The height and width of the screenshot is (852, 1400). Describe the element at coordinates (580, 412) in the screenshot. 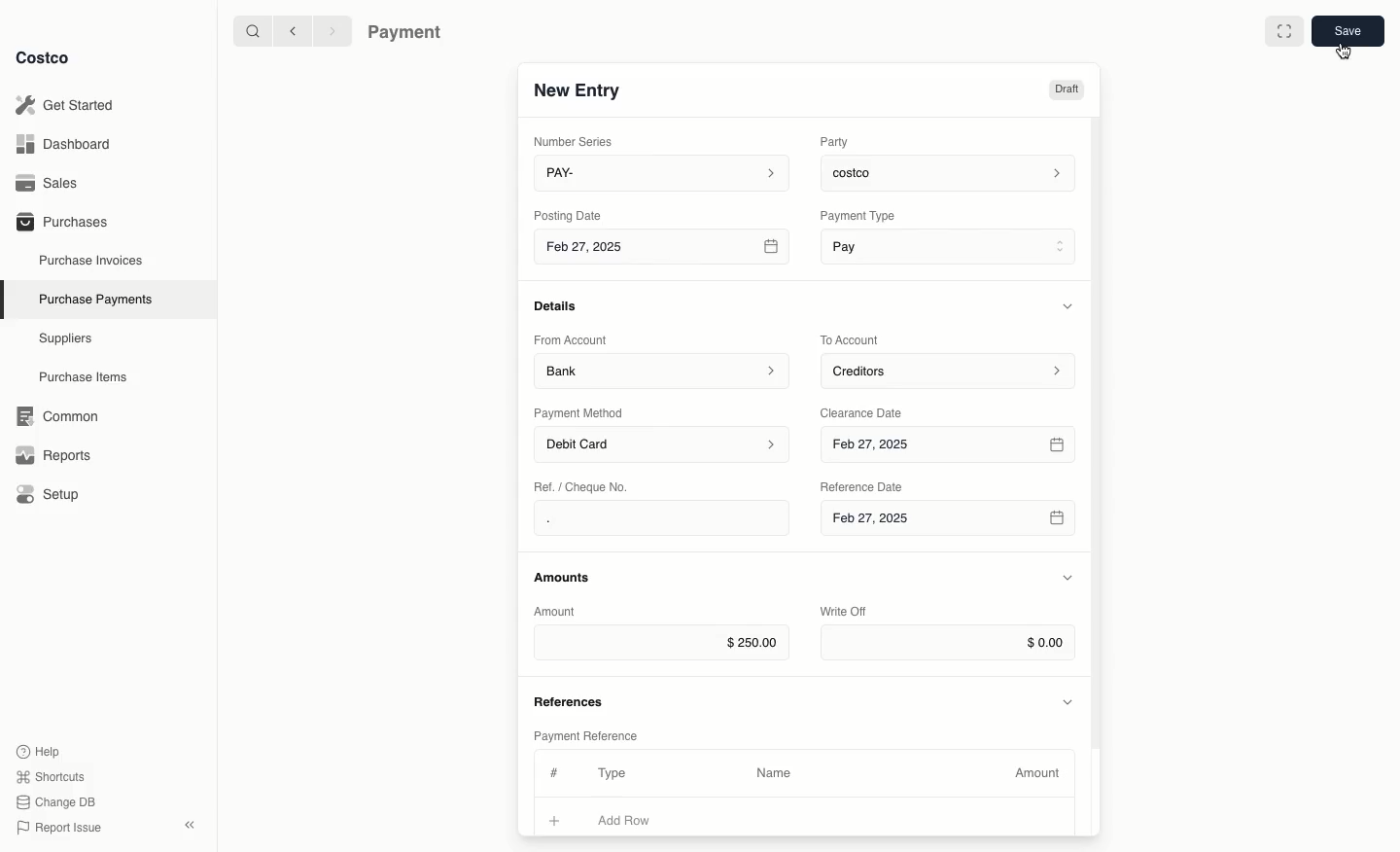

I see `Payment Method` at that location.